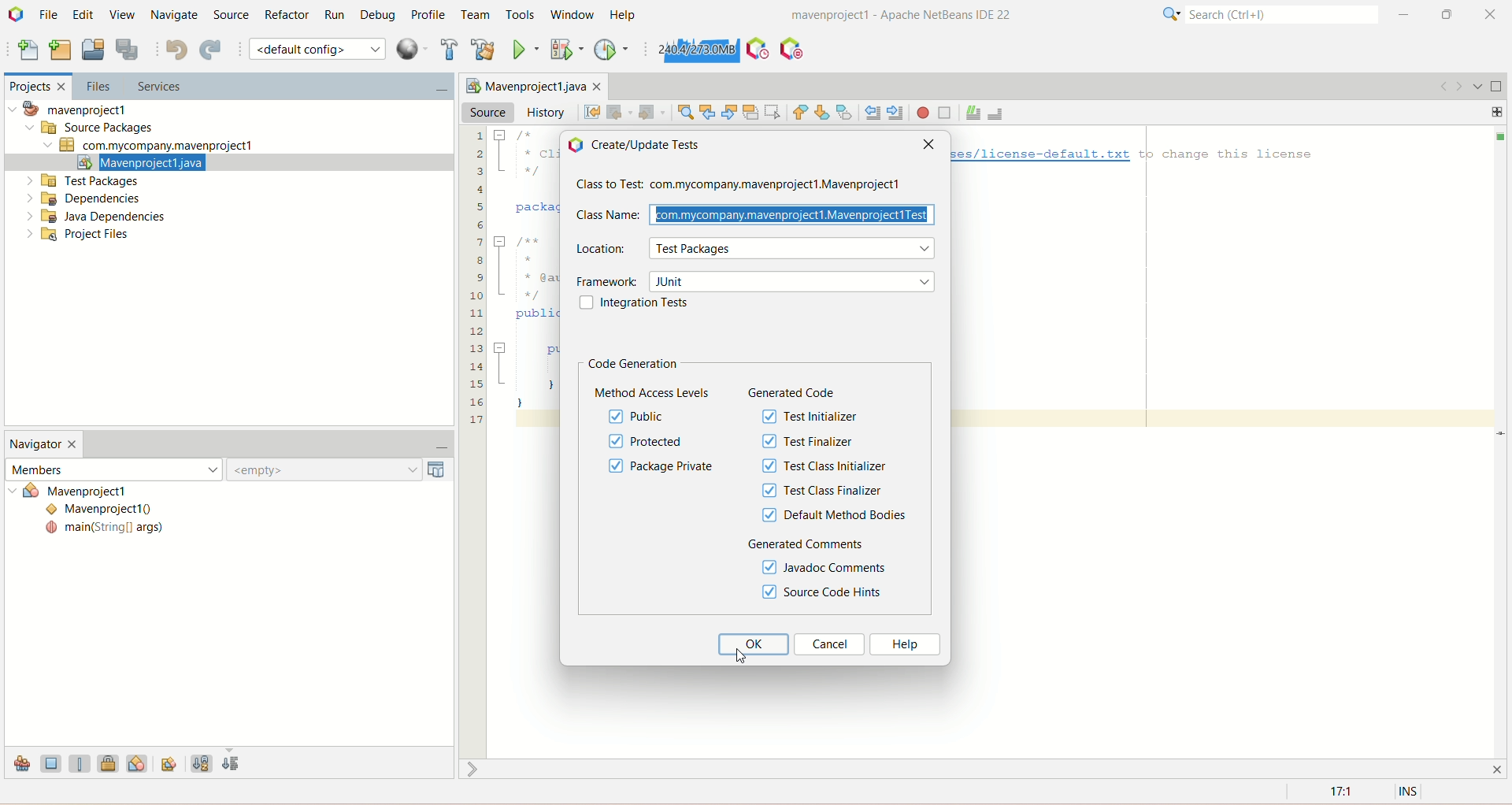 The image size is (1512, 805). What do you see at coordinates (35, 88) in the screenshot?
I see `projects` at bounding box center [35, 88].